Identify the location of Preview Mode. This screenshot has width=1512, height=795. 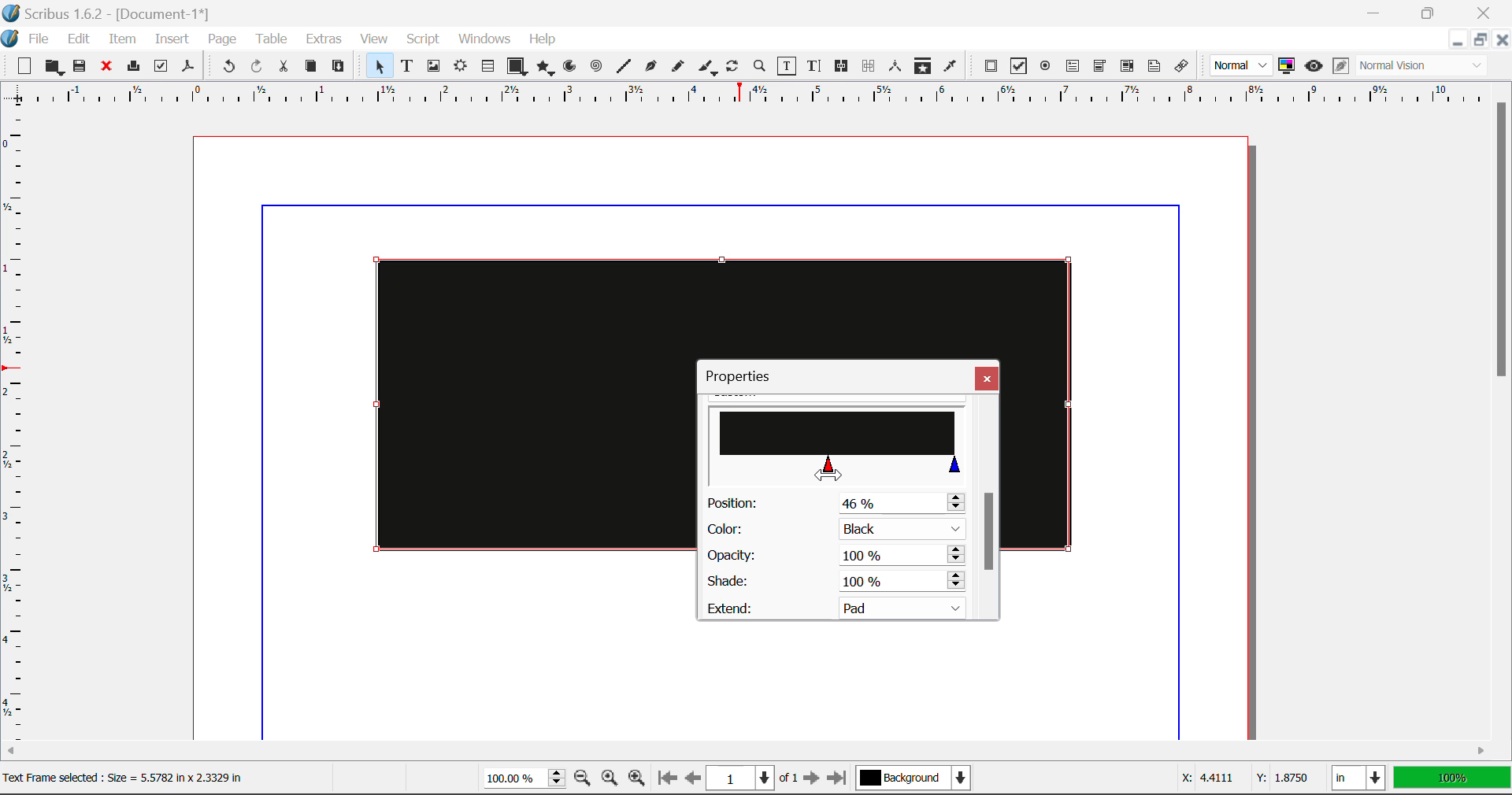
(1241, 65).